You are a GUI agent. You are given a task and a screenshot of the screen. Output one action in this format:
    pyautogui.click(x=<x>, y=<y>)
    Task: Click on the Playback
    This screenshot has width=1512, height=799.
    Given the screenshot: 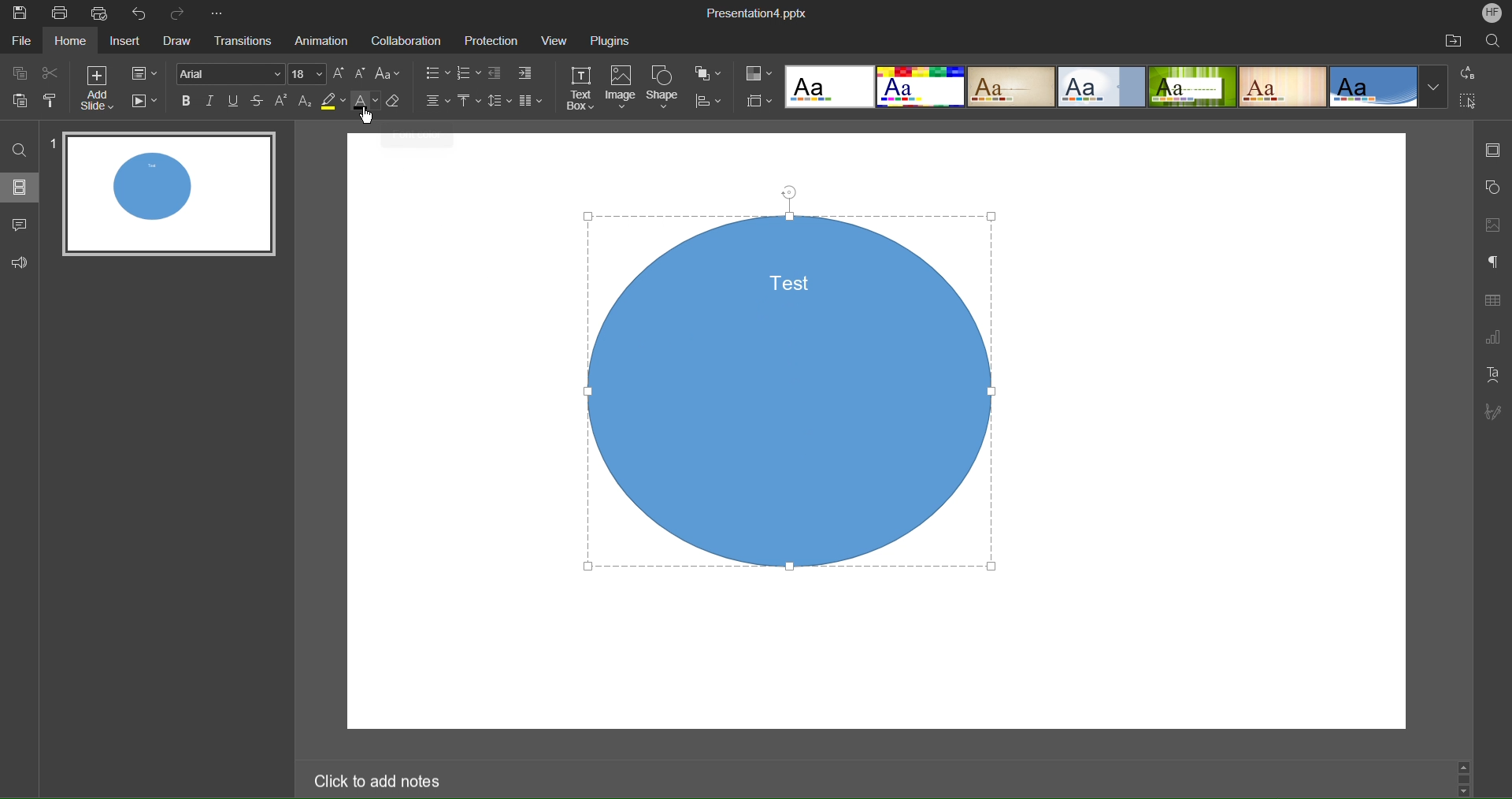 What is the action you would take?
    pyautogui.click(x=145, y=105)
    